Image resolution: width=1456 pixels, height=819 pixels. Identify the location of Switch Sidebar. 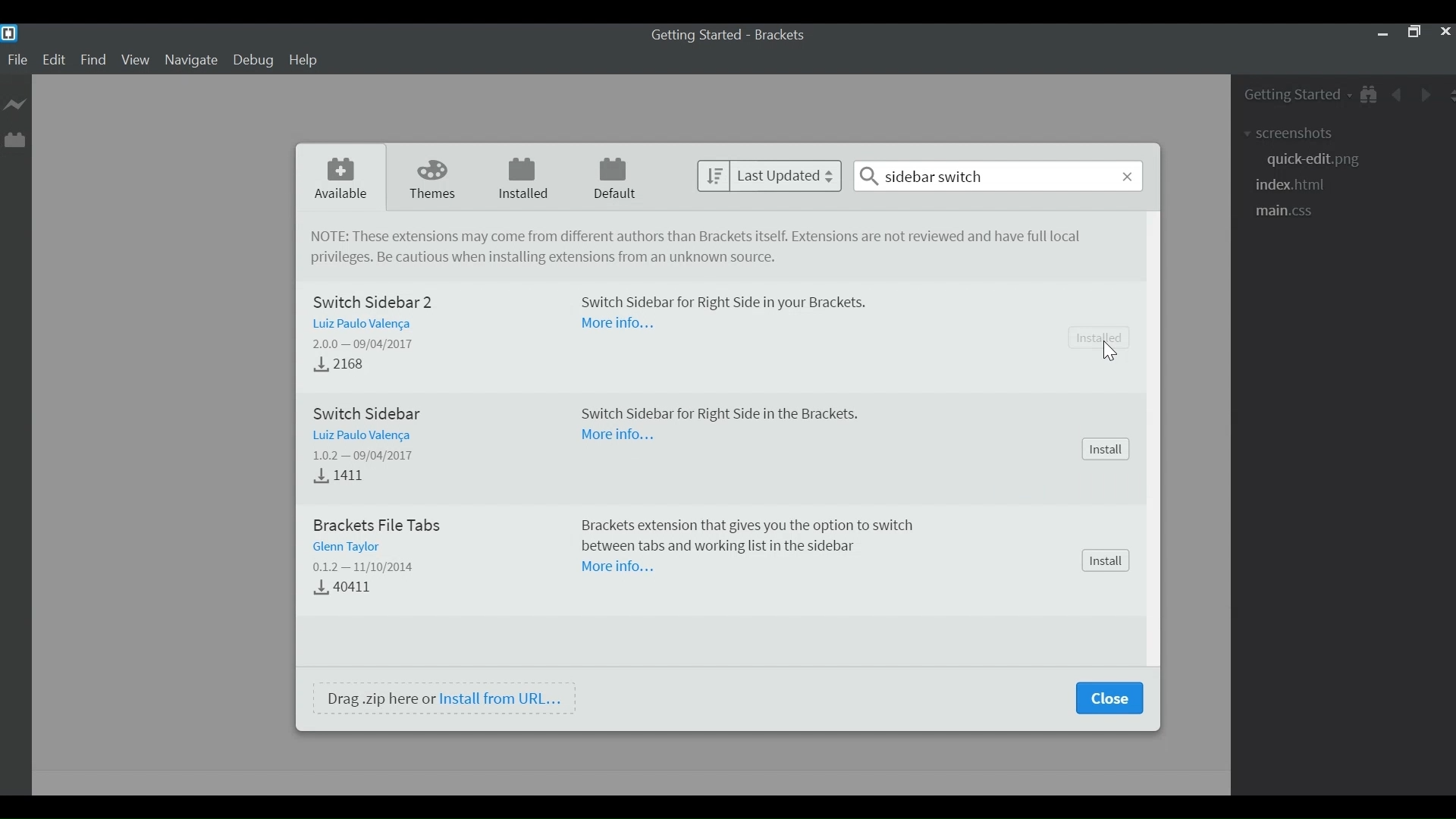
(368, 413).